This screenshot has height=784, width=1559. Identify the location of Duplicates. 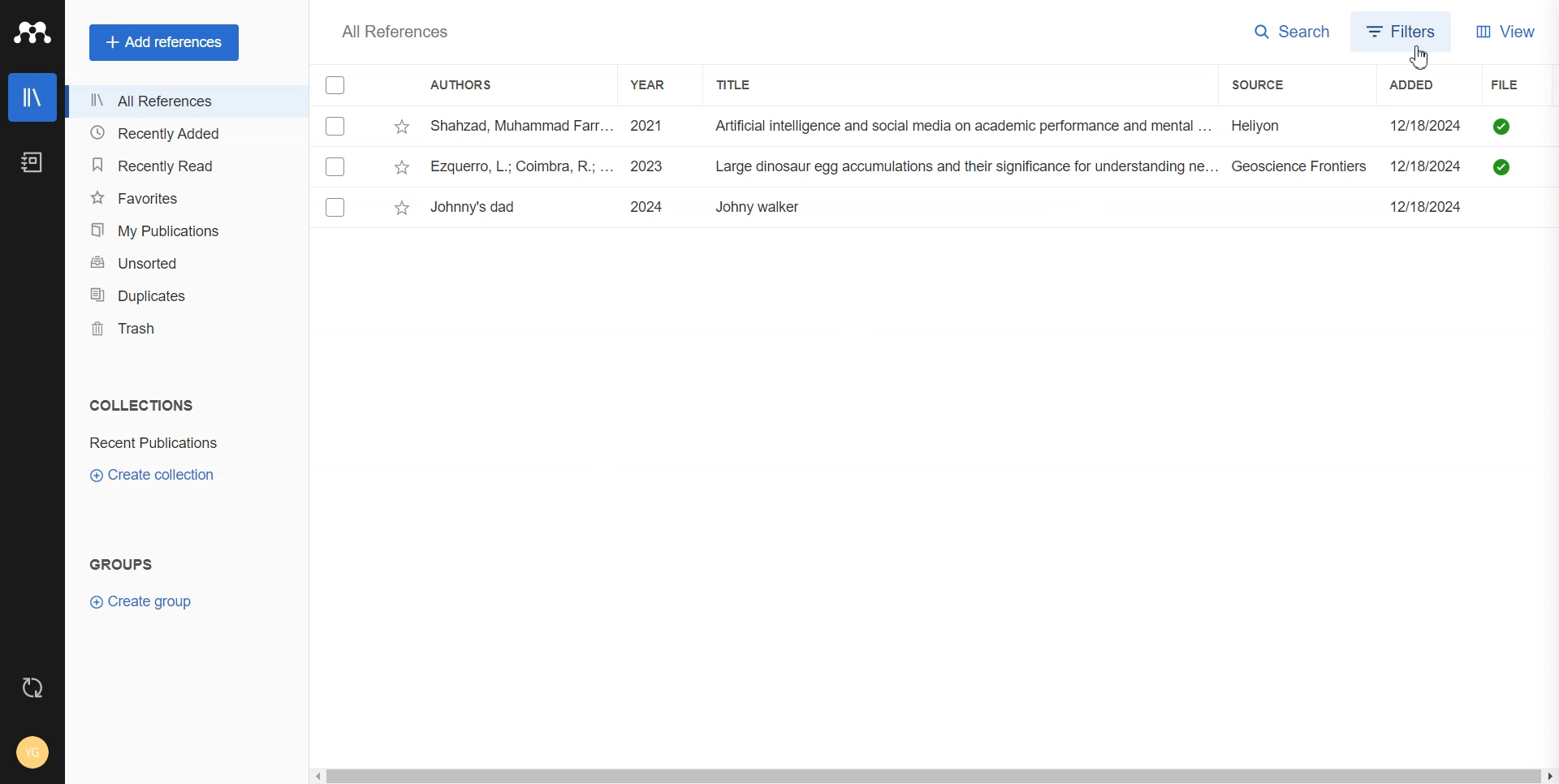
(181, 295).